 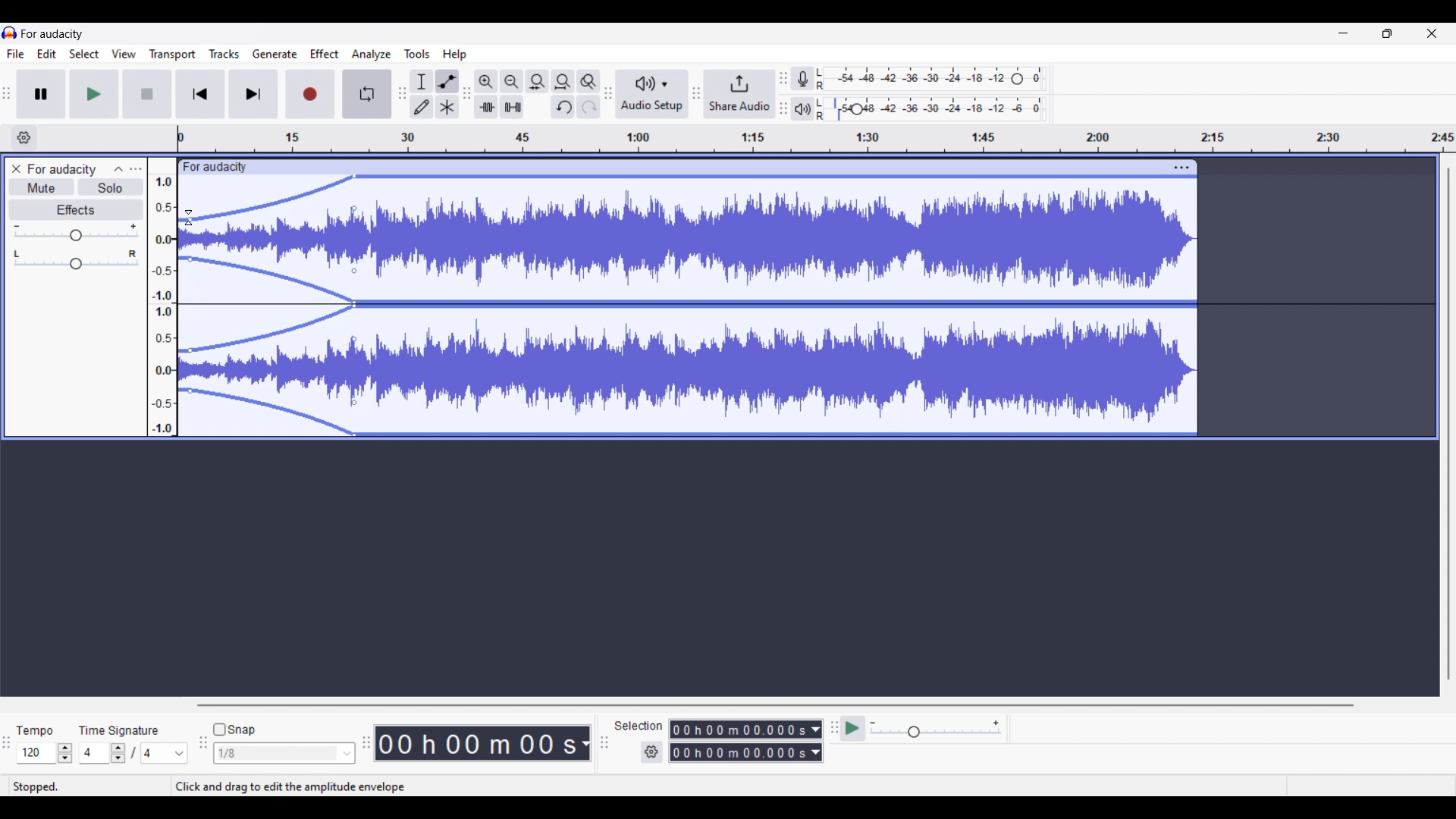 I want to click on for audacity, so click(x=53, y=34).